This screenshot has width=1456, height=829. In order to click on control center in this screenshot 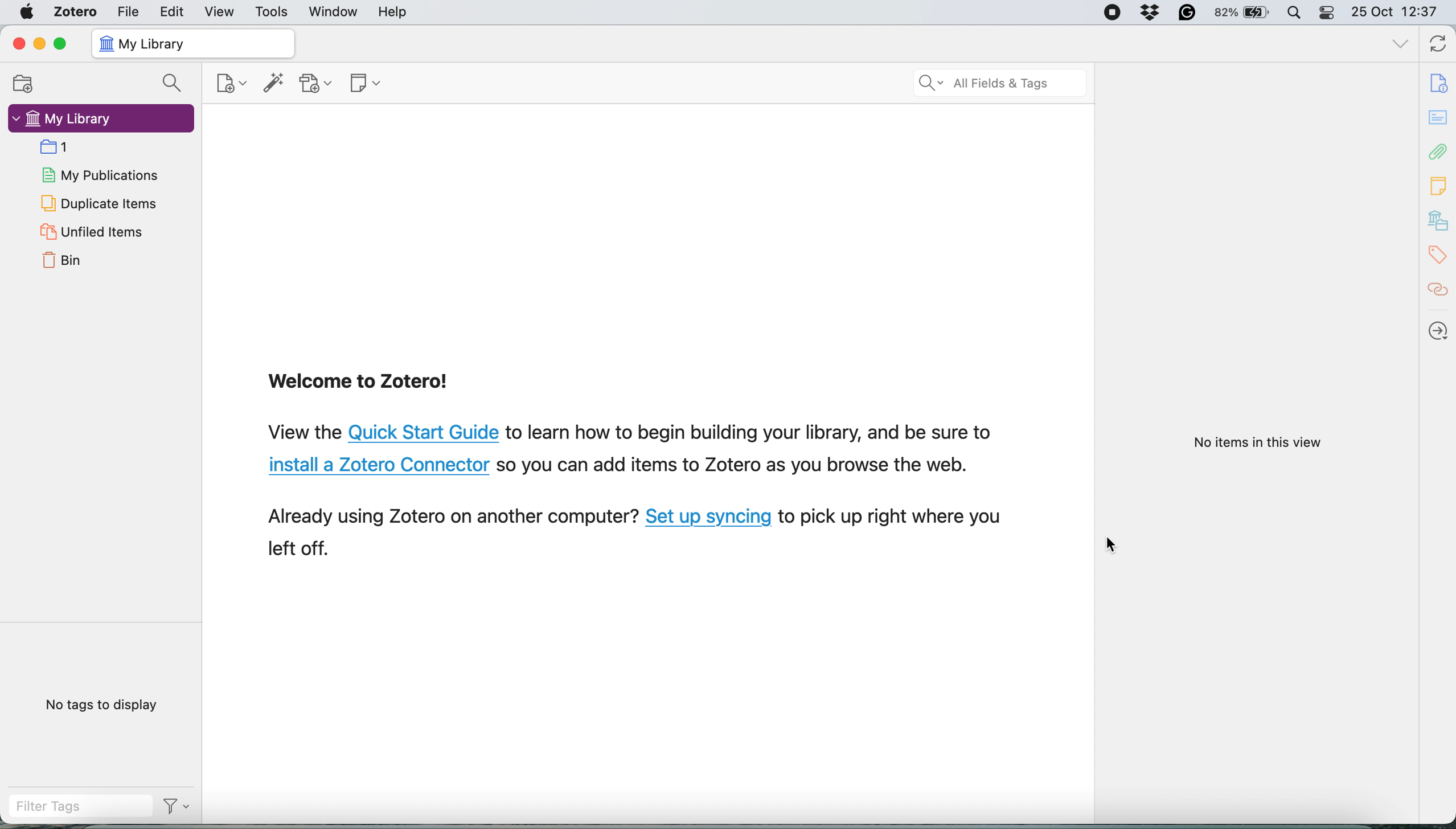, I will do `click(1328, 13)`.